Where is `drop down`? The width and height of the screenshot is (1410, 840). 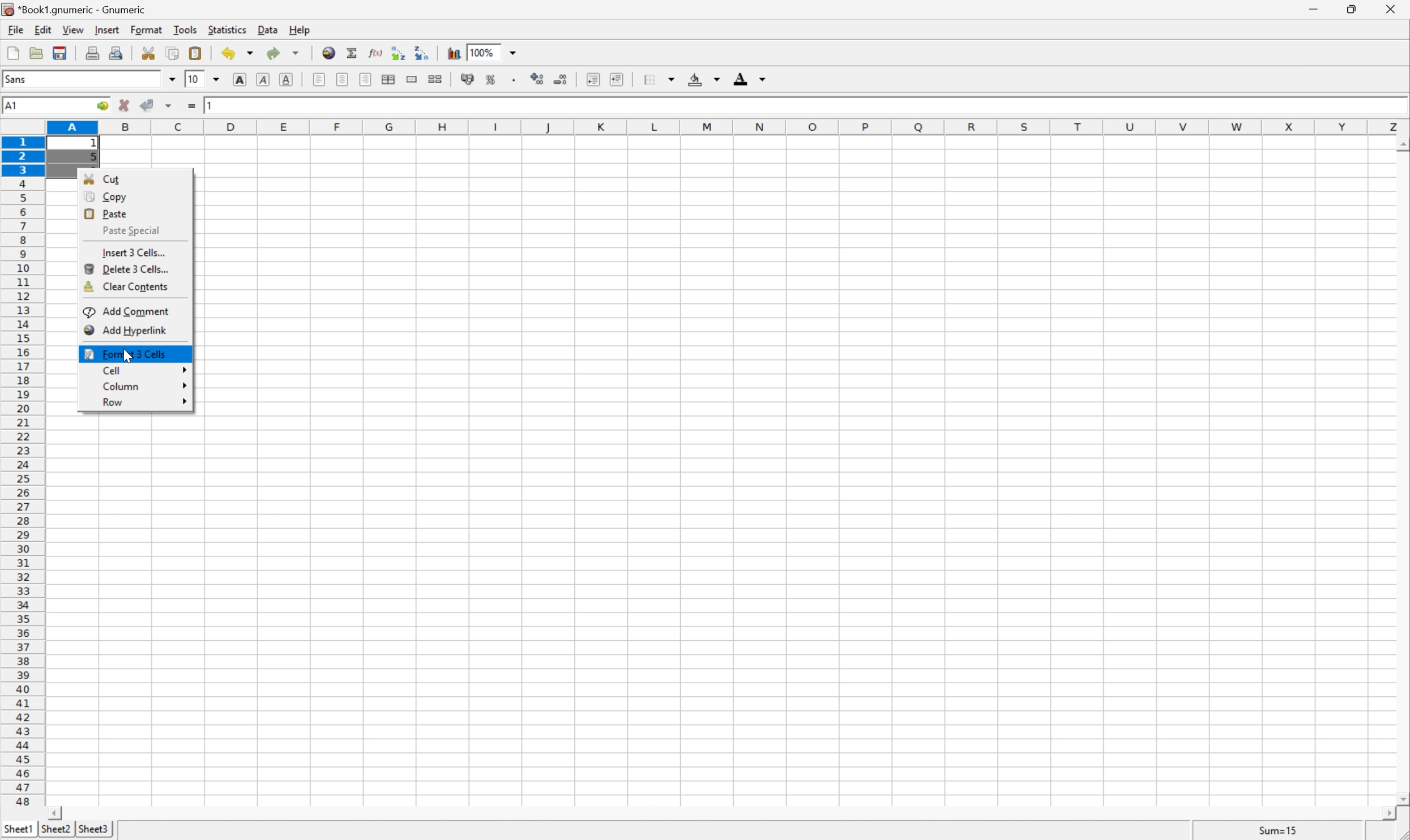
drop down is located at coordinates (220, 79).